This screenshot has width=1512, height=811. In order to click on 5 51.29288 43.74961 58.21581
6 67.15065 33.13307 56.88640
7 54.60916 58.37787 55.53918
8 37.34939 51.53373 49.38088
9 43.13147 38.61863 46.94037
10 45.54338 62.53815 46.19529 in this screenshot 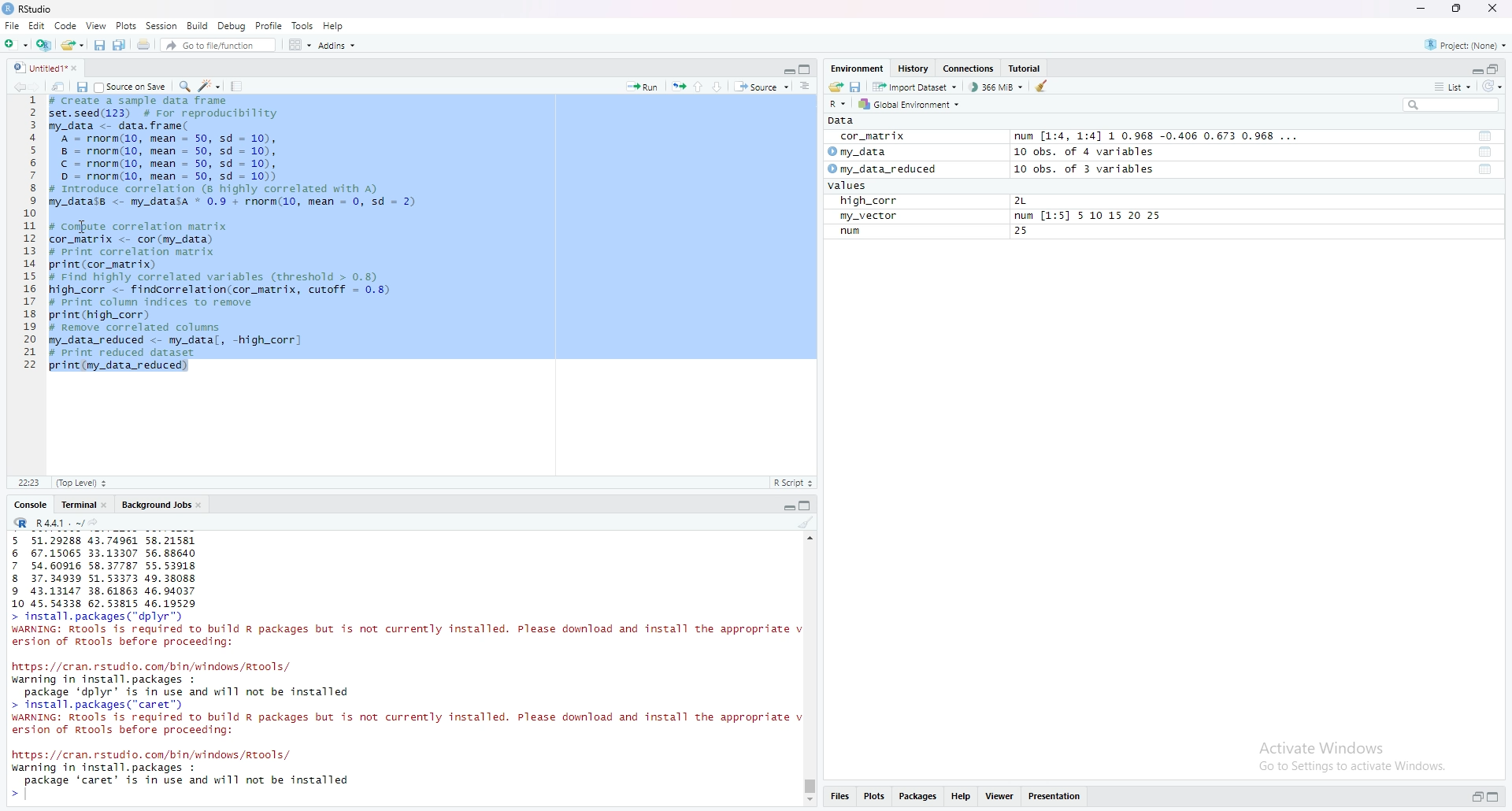, I will do `click(102, 572)`.